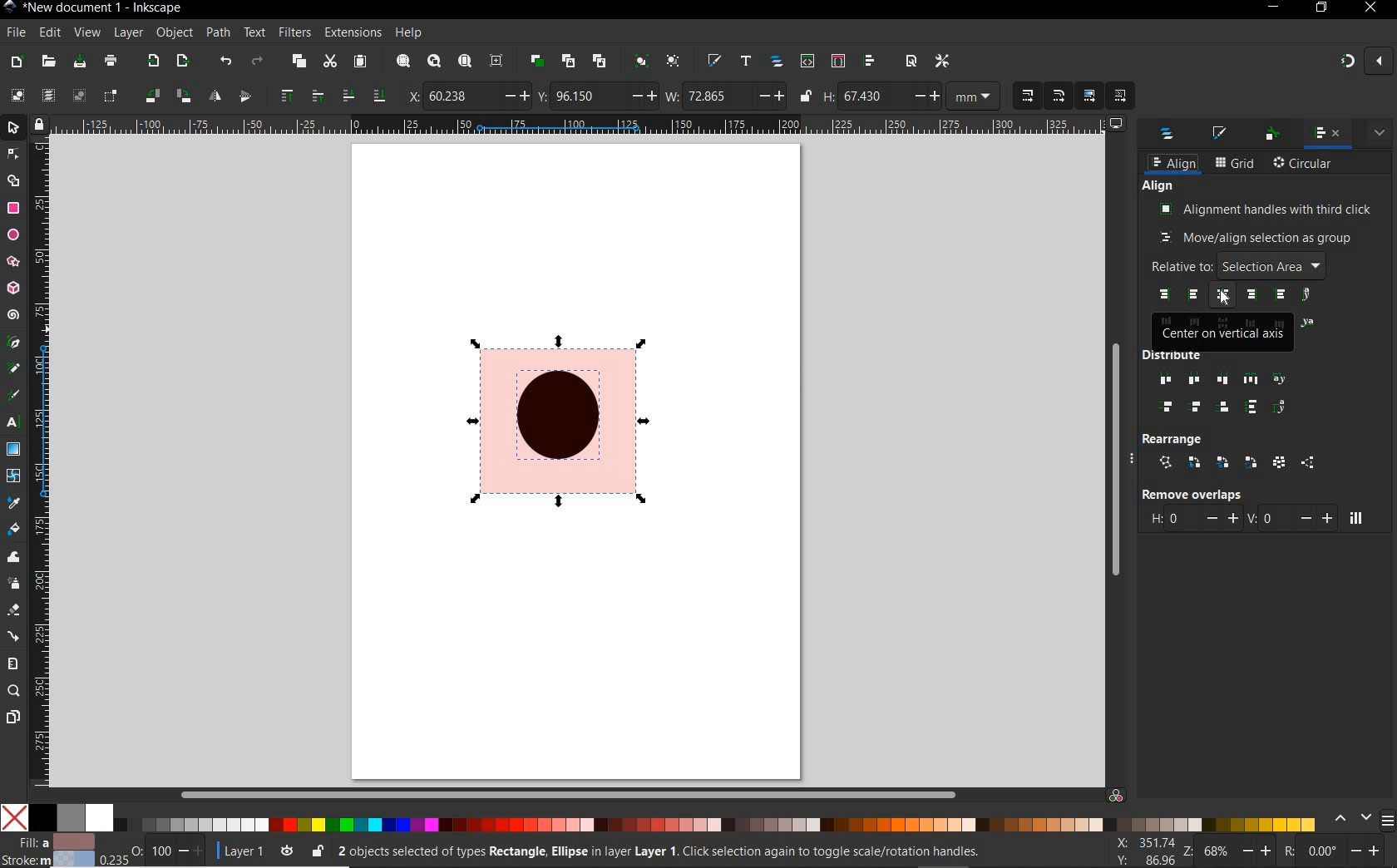 Image resolution: width=1397 pixels, height=868 pixels. What do you see at coordinates (1222, 133) in the screenshot?
I see `fill & stroke` at bounding box center [1222, 133].